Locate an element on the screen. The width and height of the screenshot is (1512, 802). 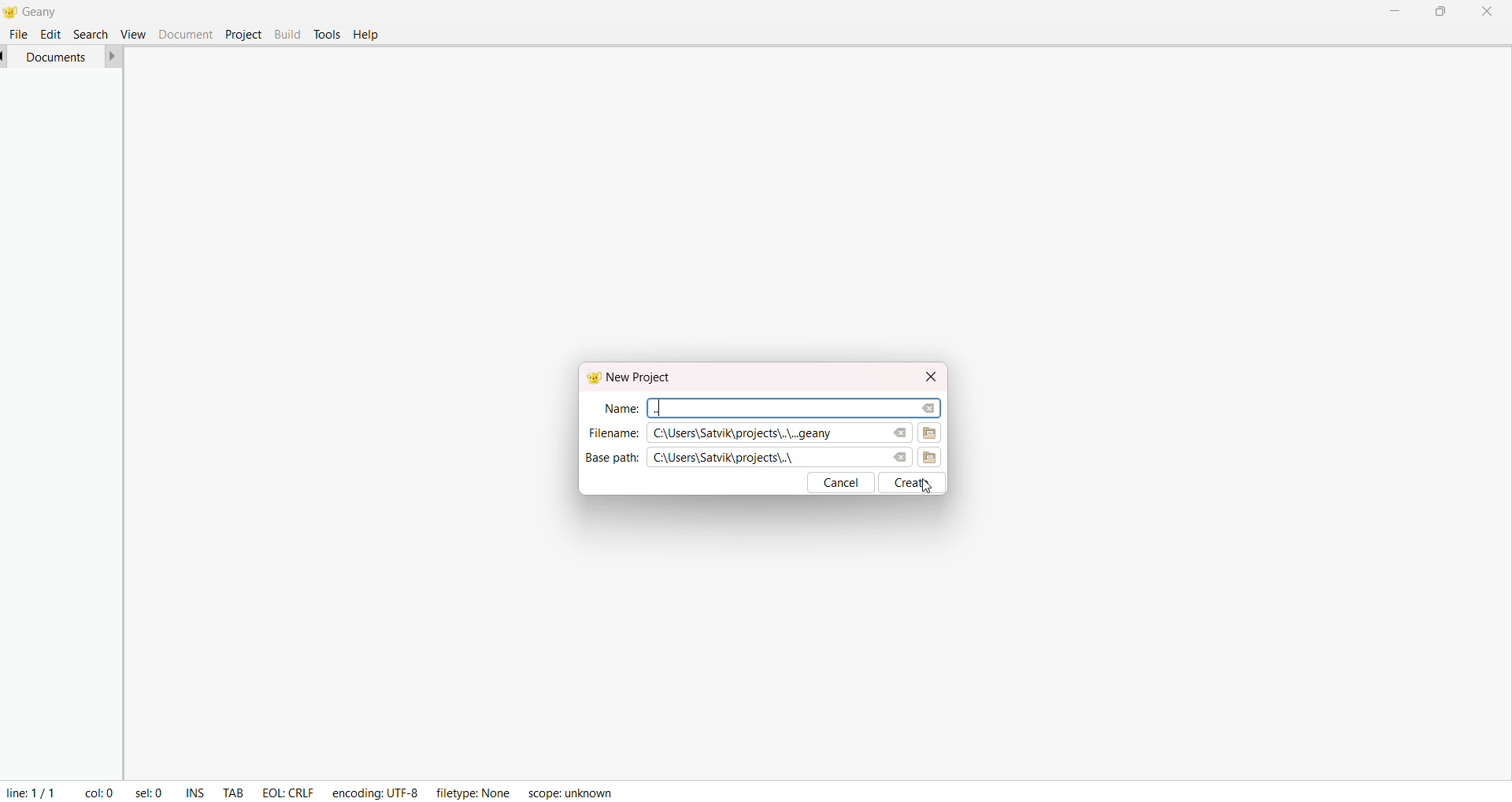
file is located at coordinates (19, 34).